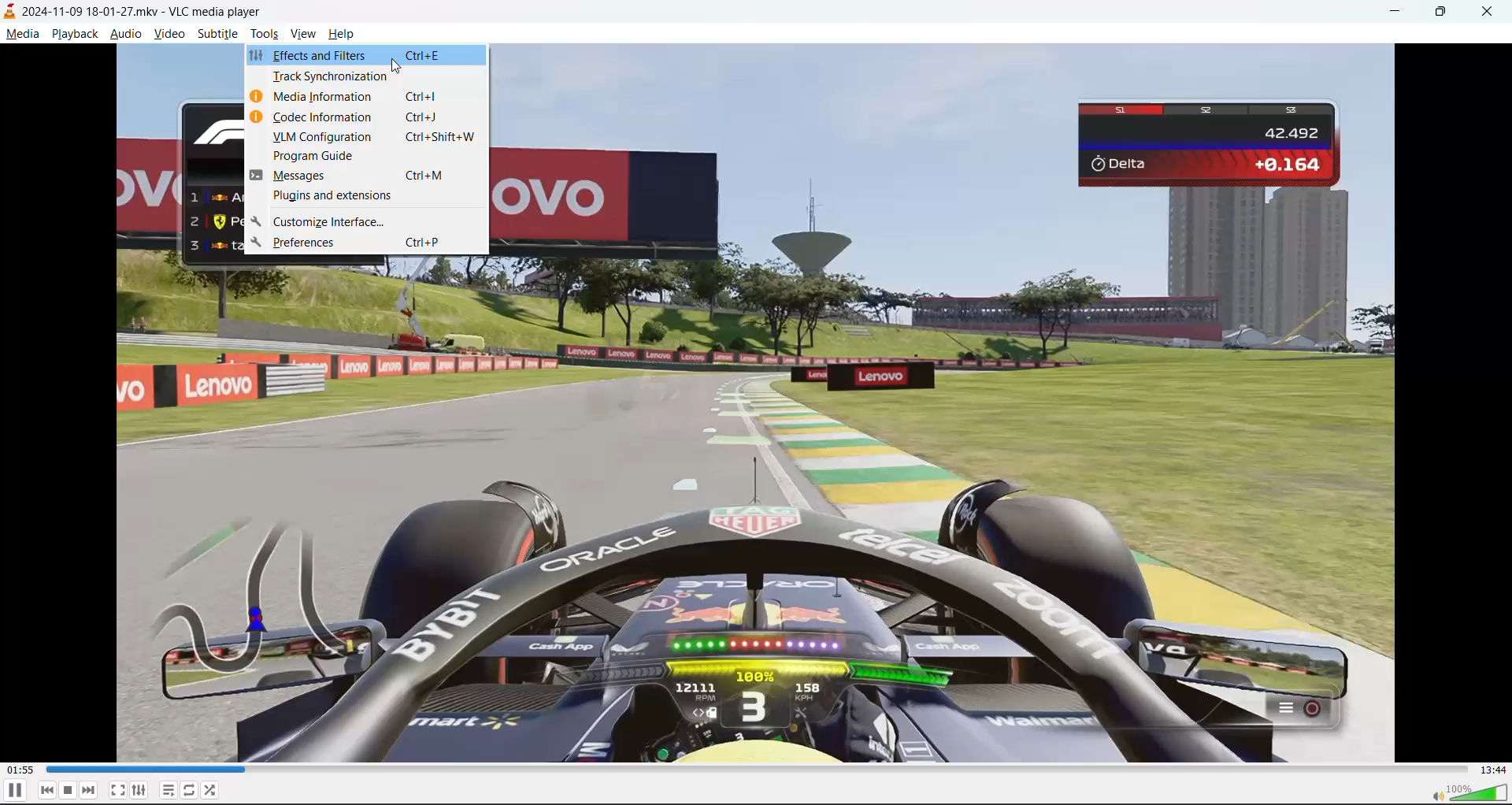 Image resolution: width=1512 pixels, height=805 pixels. Describe the element at coordinates (211, 789) in the screenshot. I see `random` at that location.